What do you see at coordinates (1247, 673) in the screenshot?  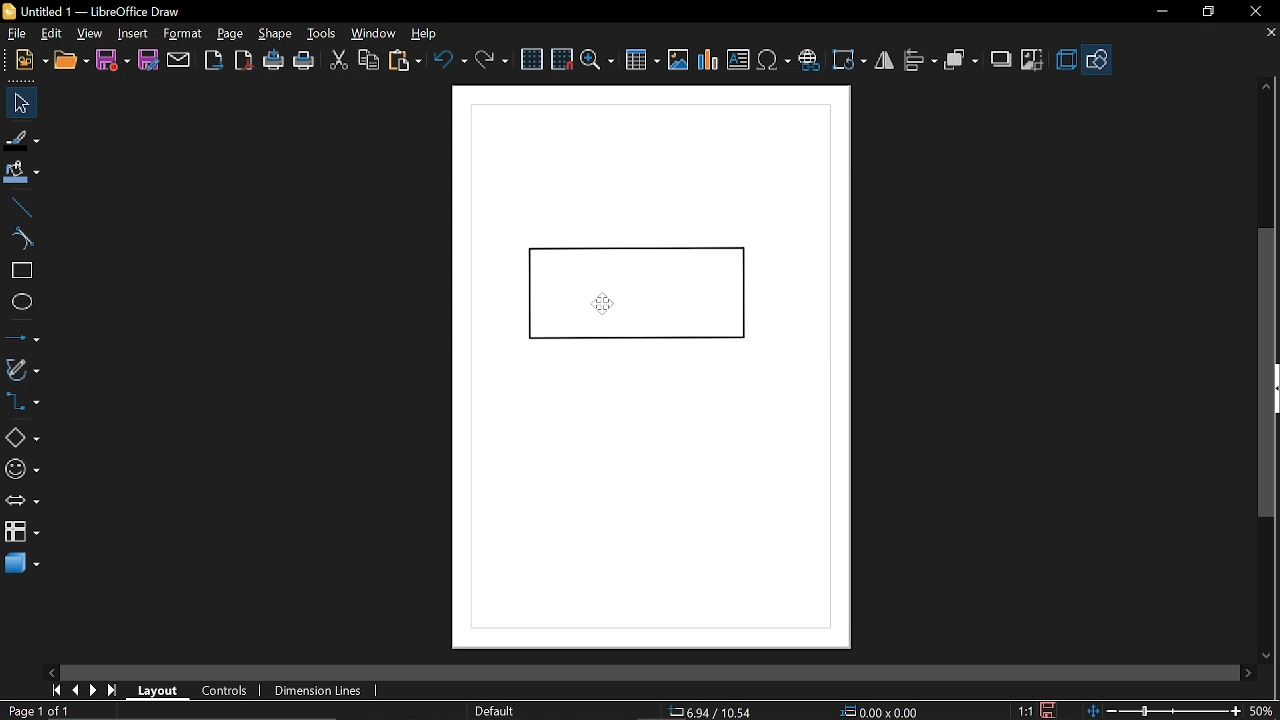 I see `Move right` at bounding box center [1247, 673].